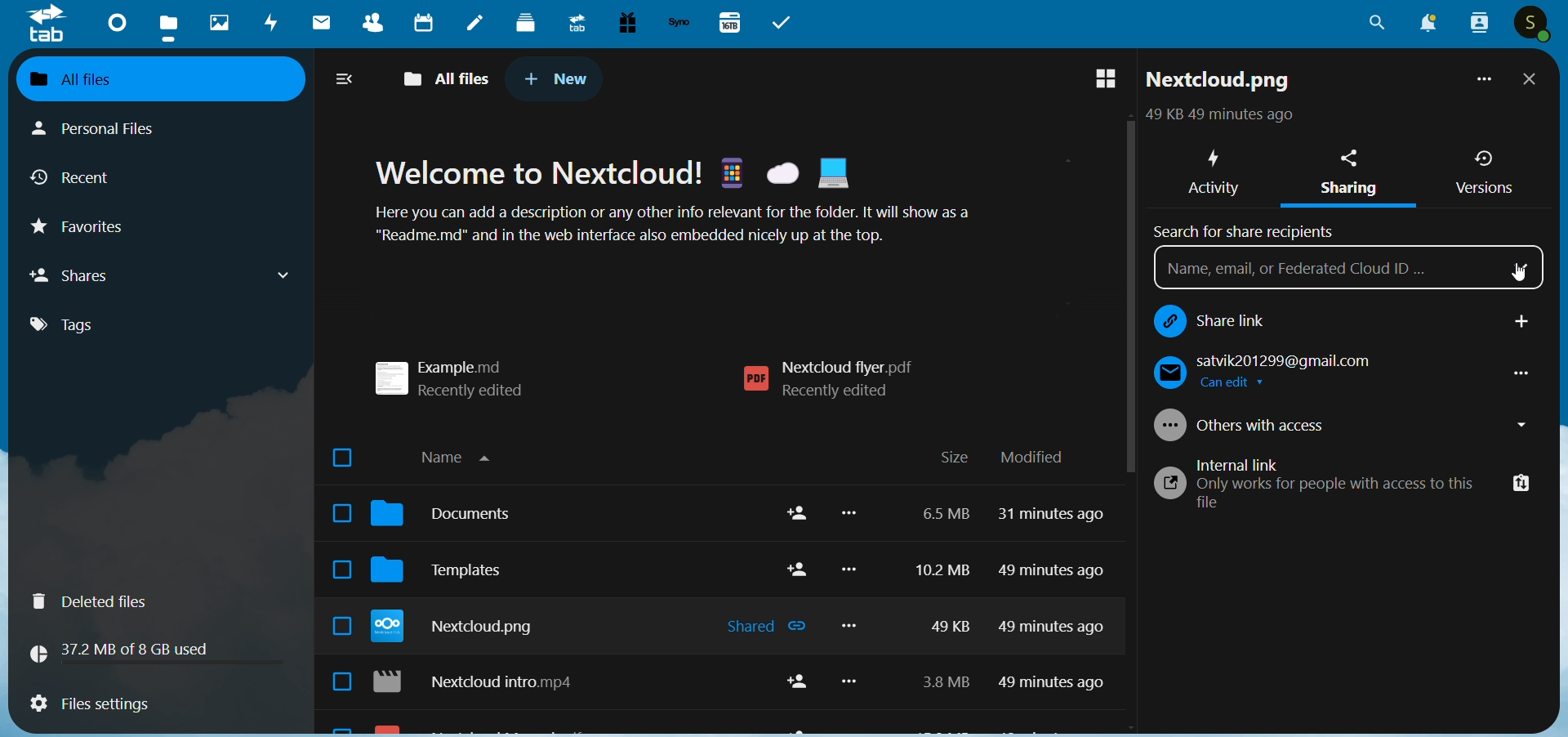  Describe the element at coordinates (1477, 23) in the screenshot. I see `people` at that location.